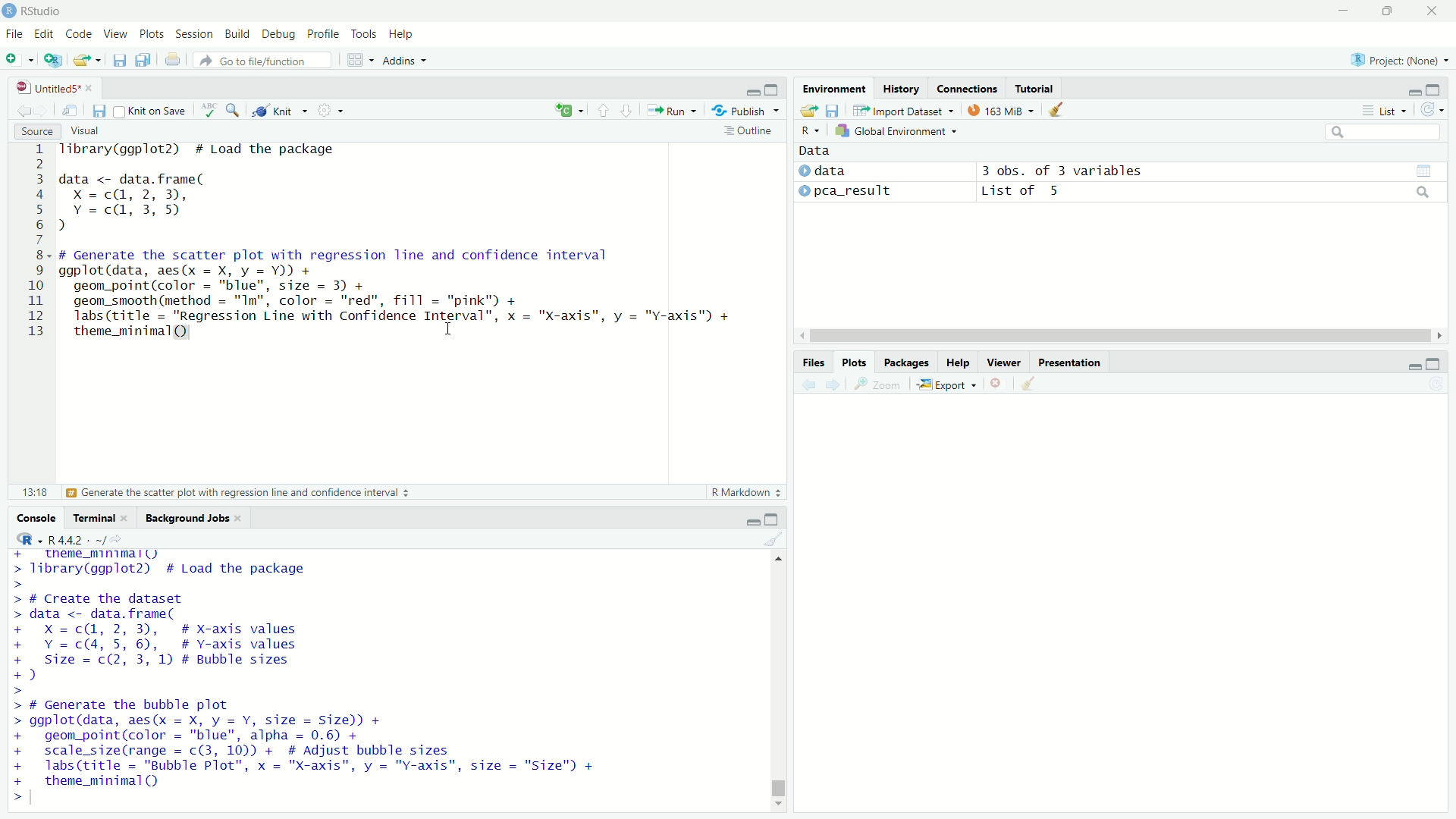 The image size is (1456, 819). What do you see at coordinates (747, 109) in the screenshot?
I see `Publish` at bounding box center [747, 109].